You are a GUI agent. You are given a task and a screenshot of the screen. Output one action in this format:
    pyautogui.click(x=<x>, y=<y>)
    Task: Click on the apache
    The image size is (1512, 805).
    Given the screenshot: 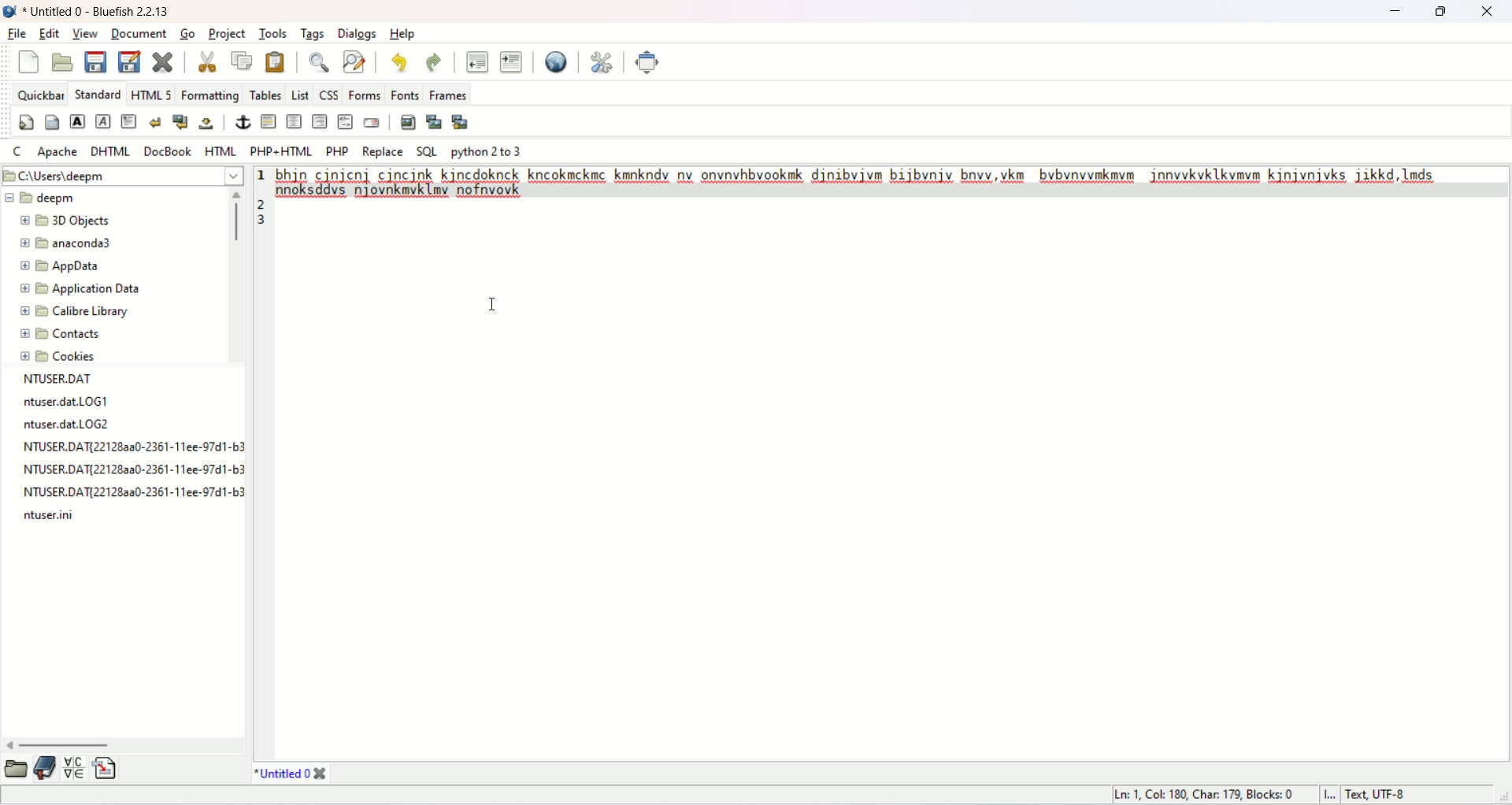 What is the action you would take?
    pyautogui.click(x=59, y=152)
    